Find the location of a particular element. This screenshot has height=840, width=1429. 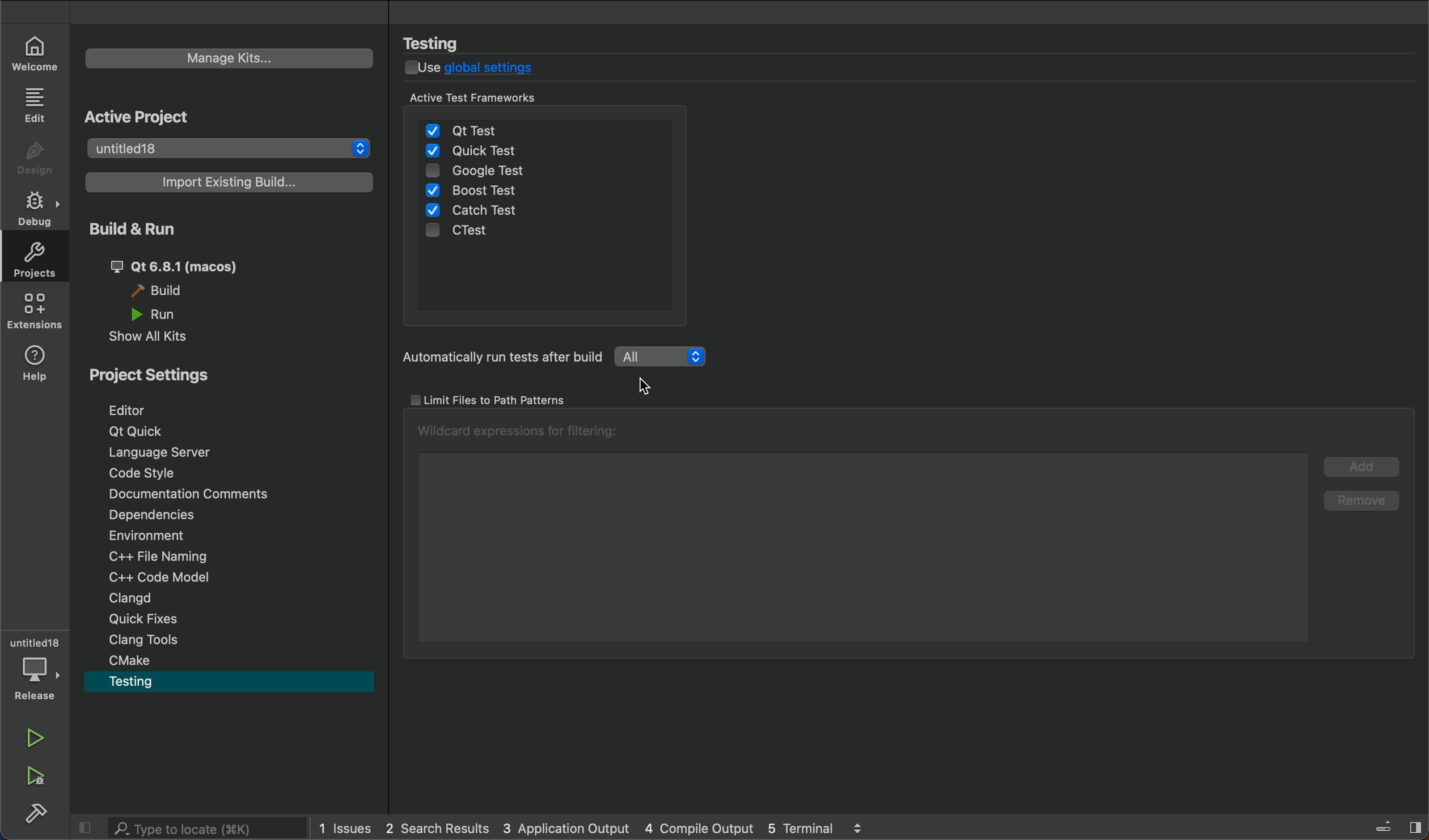

environment is located at coordinates (166, 536).